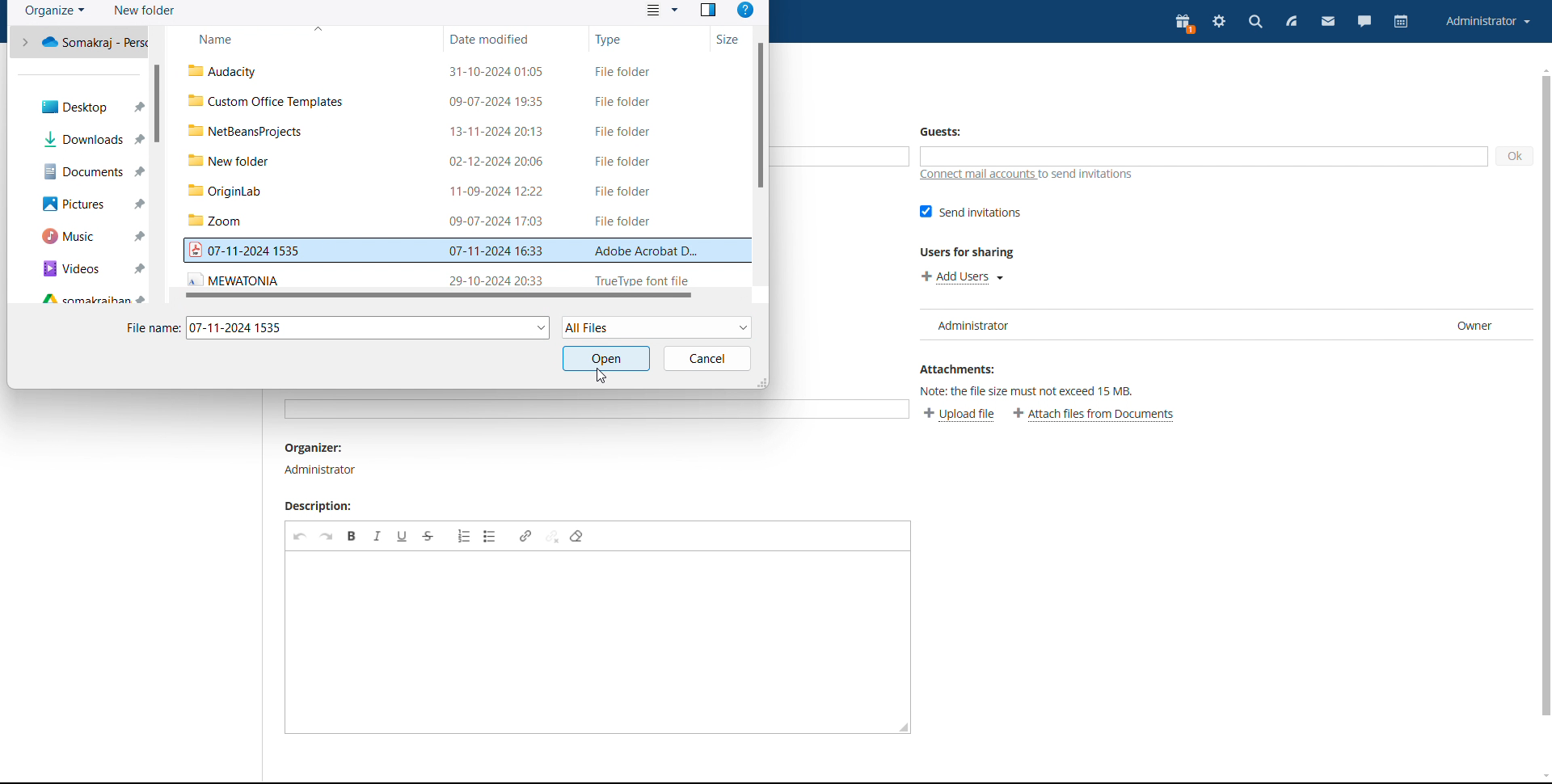 This screenshot has height=784, width=1552. What do you see at coordinates (445, 278) in the screenshot?
I see `` at bounding box center [445, 278].